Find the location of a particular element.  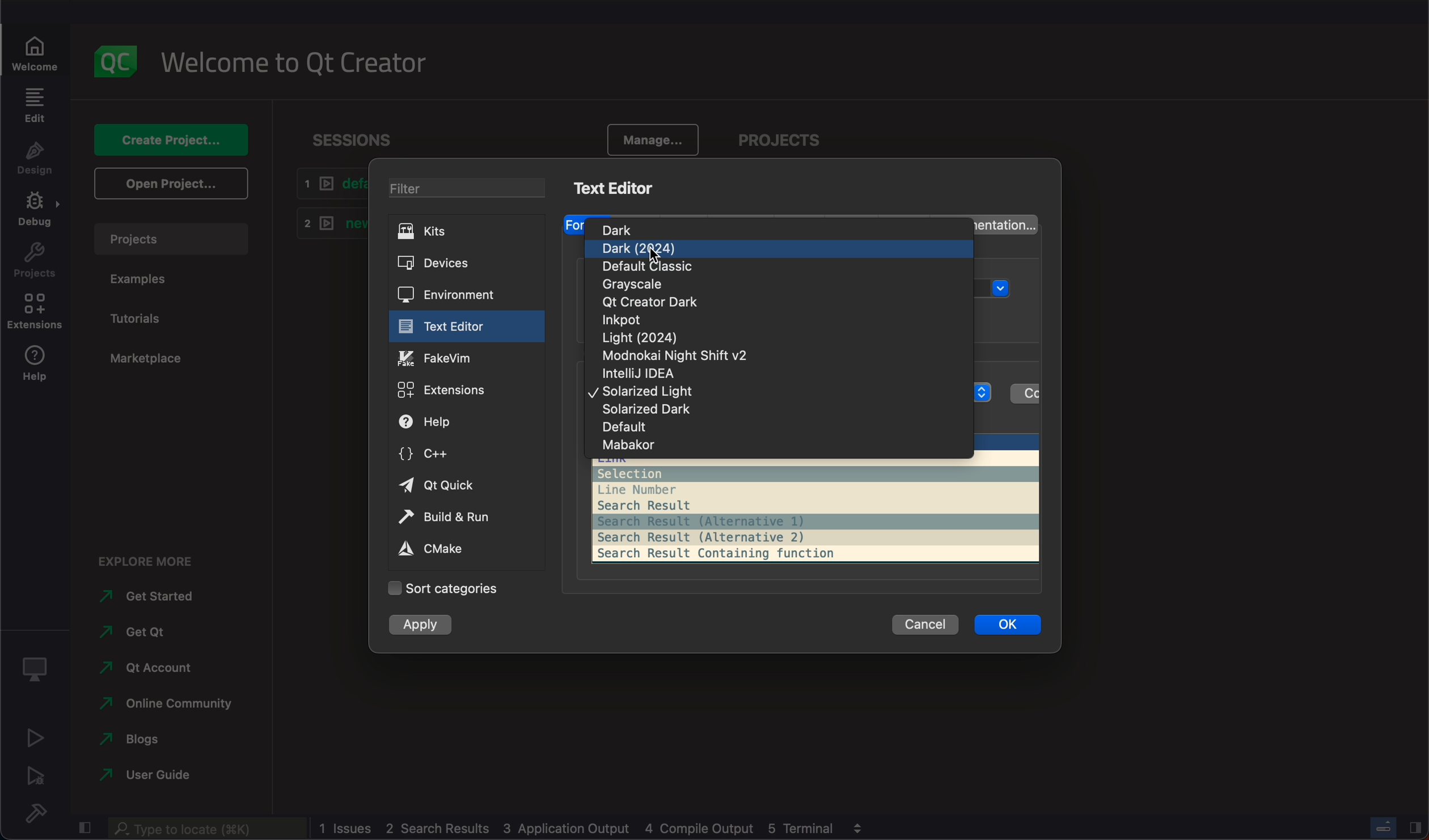

welcome is located at coordinates (39, 47).